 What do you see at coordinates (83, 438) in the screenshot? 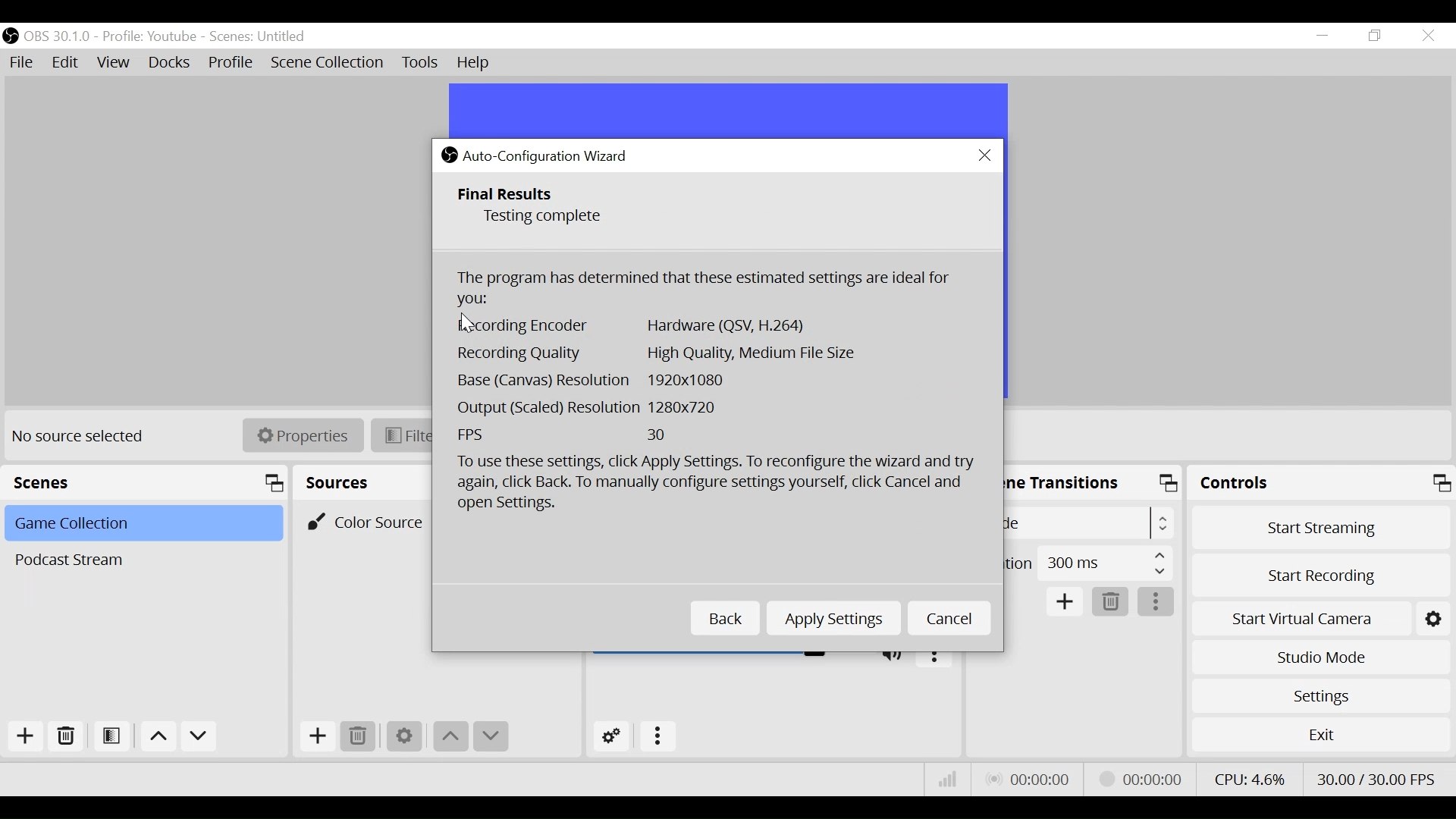
I see `No source Selected` at bounding box center [83, 438].